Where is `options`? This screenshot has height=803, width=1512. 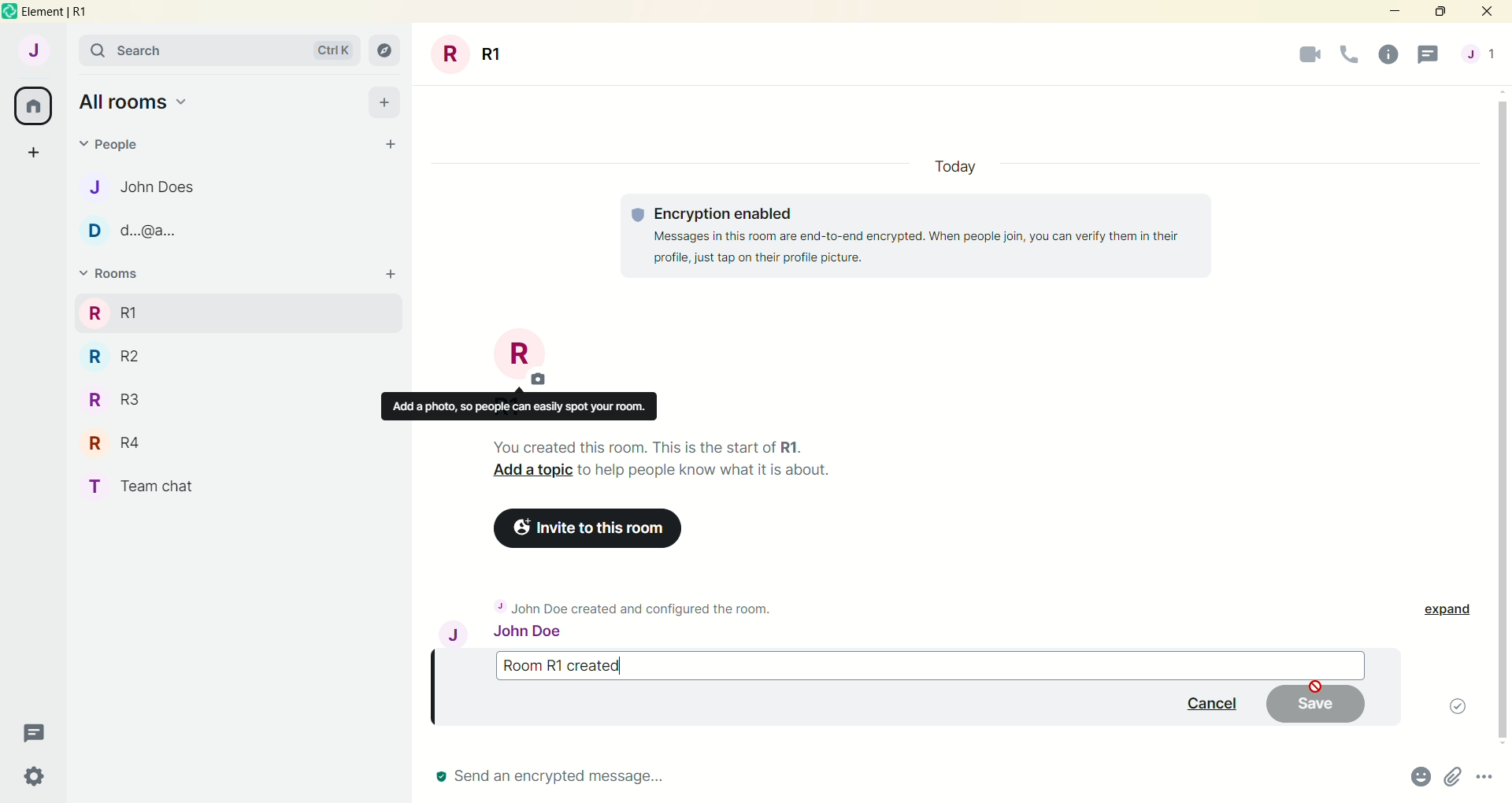 options is located at coordinates (1487, 779).